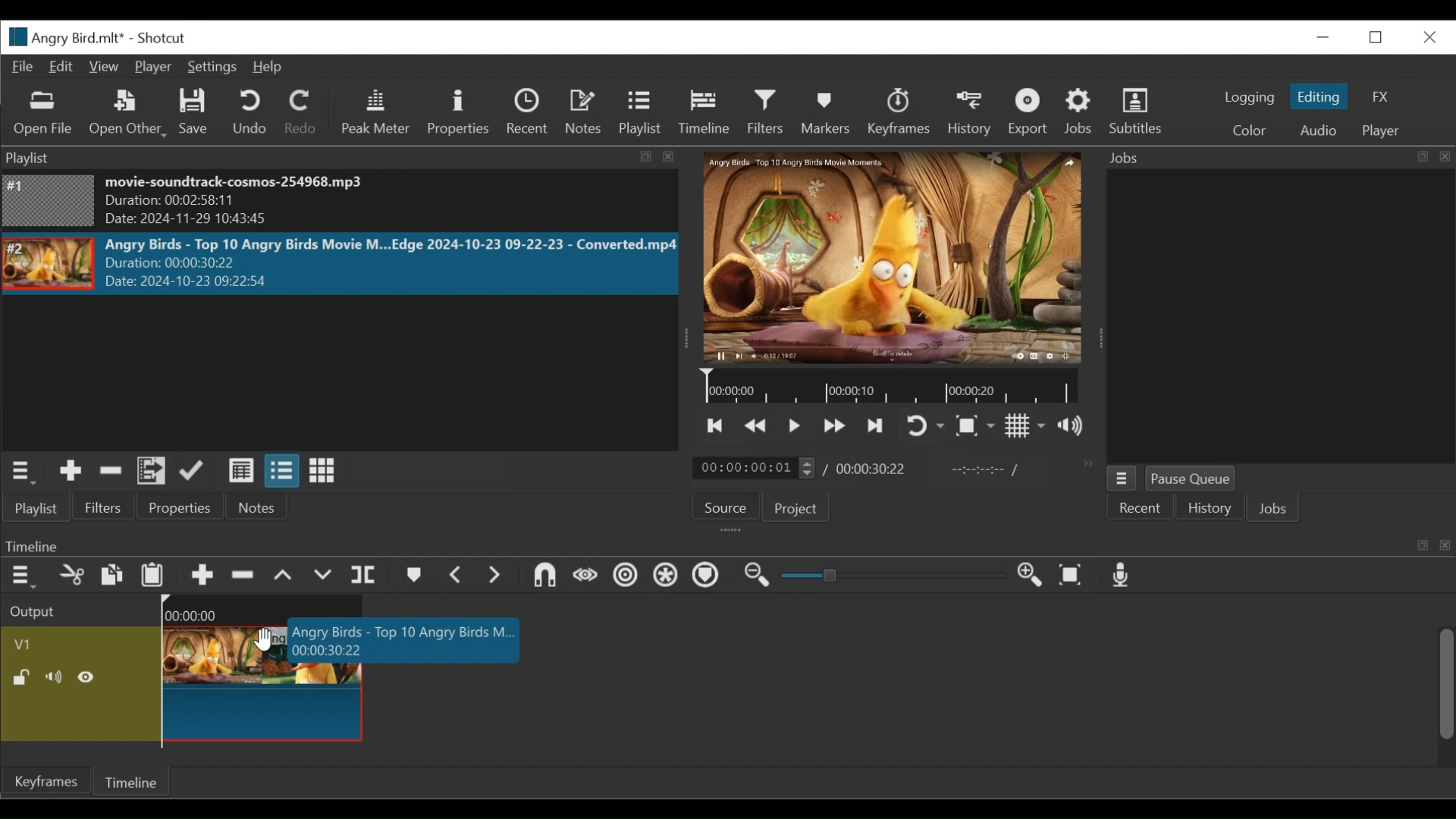 The image size is (1456, 819). Describe the element at coordinates (243, 576) in the screenshot. I see `Ripple Delete` at that location.